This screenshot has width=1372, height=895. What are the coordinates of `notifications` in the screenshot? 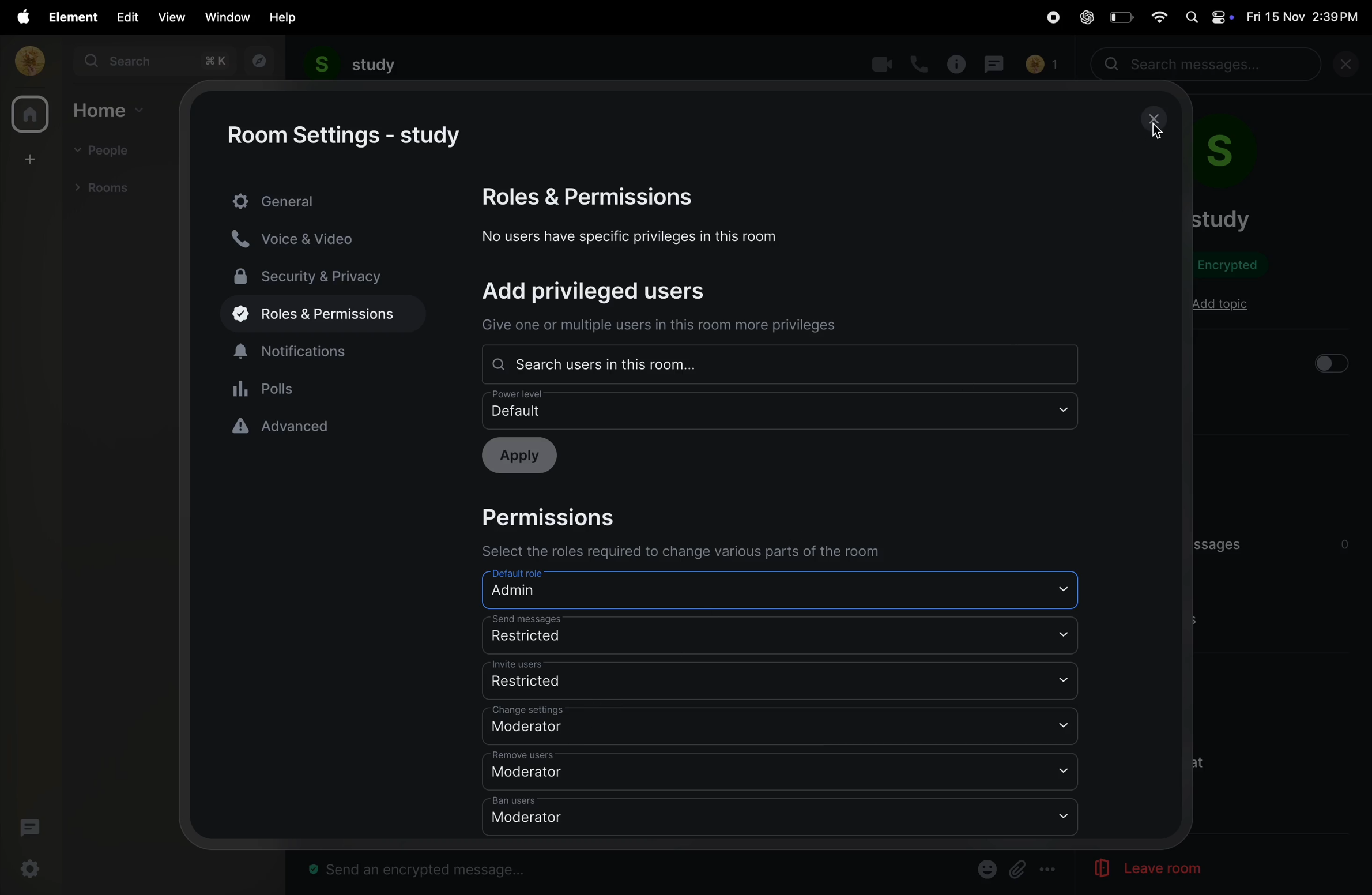 It's located at (325, 349).